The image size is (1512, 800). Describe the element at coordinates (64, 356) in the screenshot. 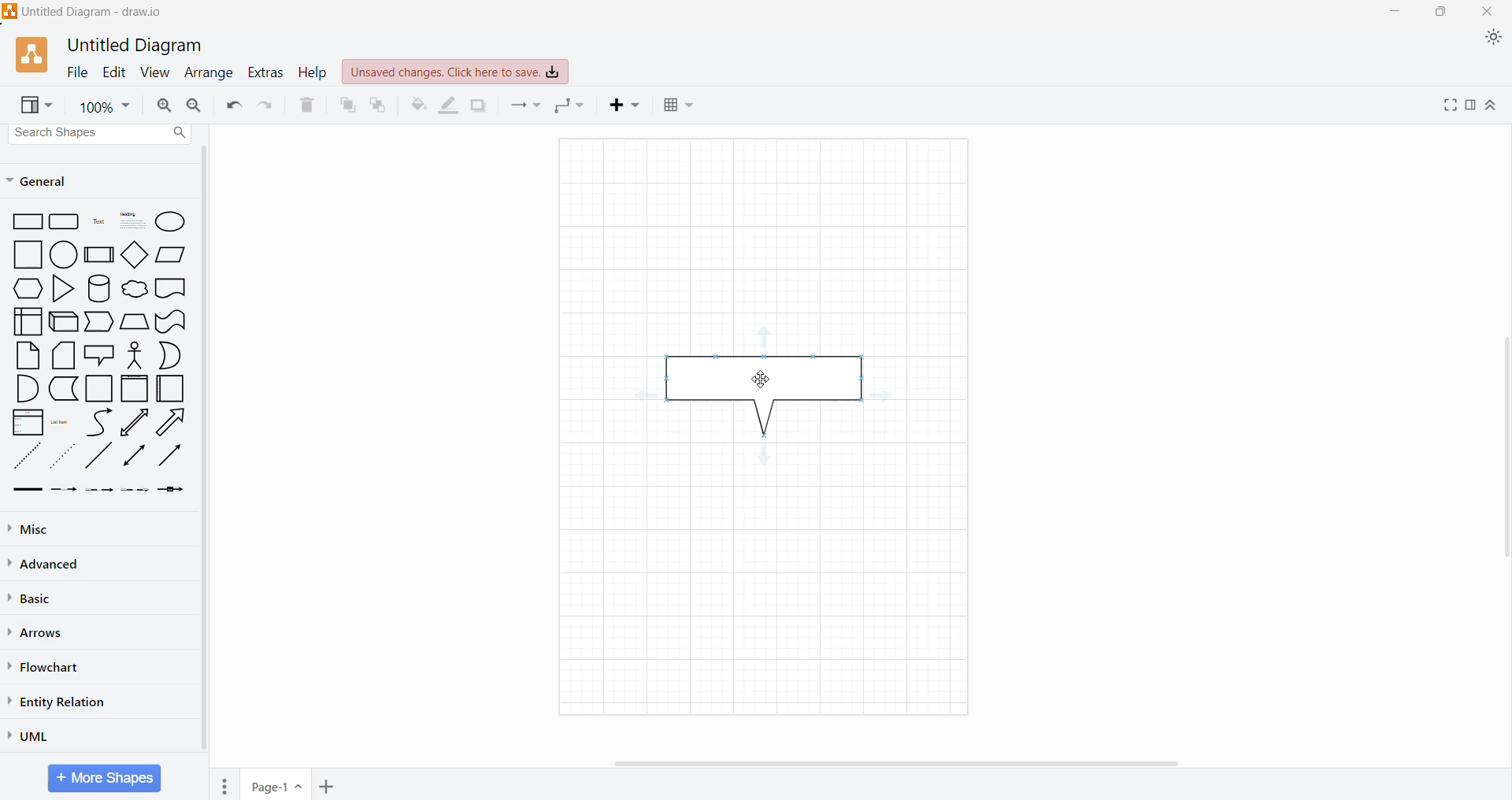

I see `Stacked Papers` at that location.